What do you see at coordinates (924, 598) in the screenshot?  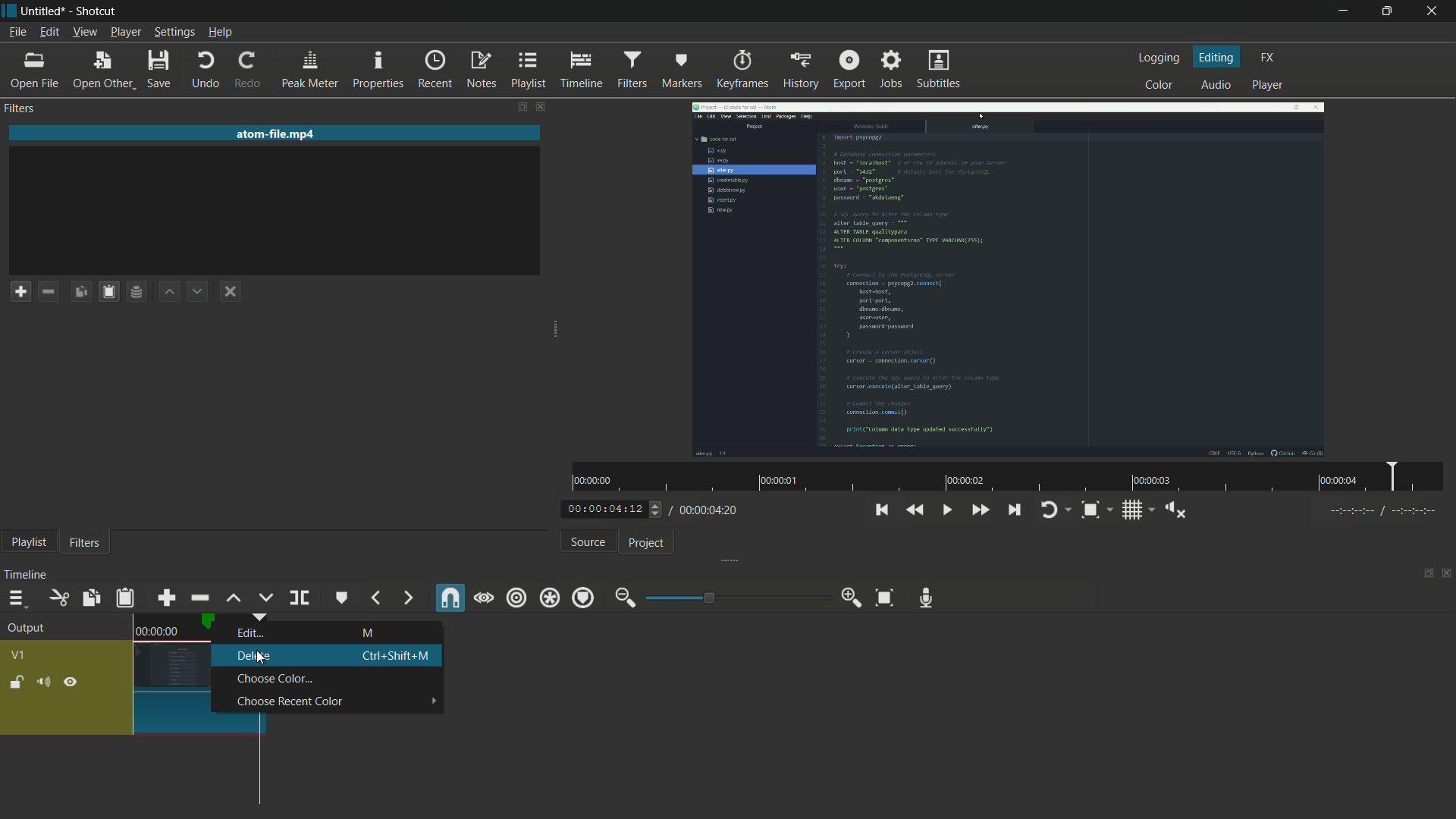 I see `record audio` at bounding box center [924, 598].